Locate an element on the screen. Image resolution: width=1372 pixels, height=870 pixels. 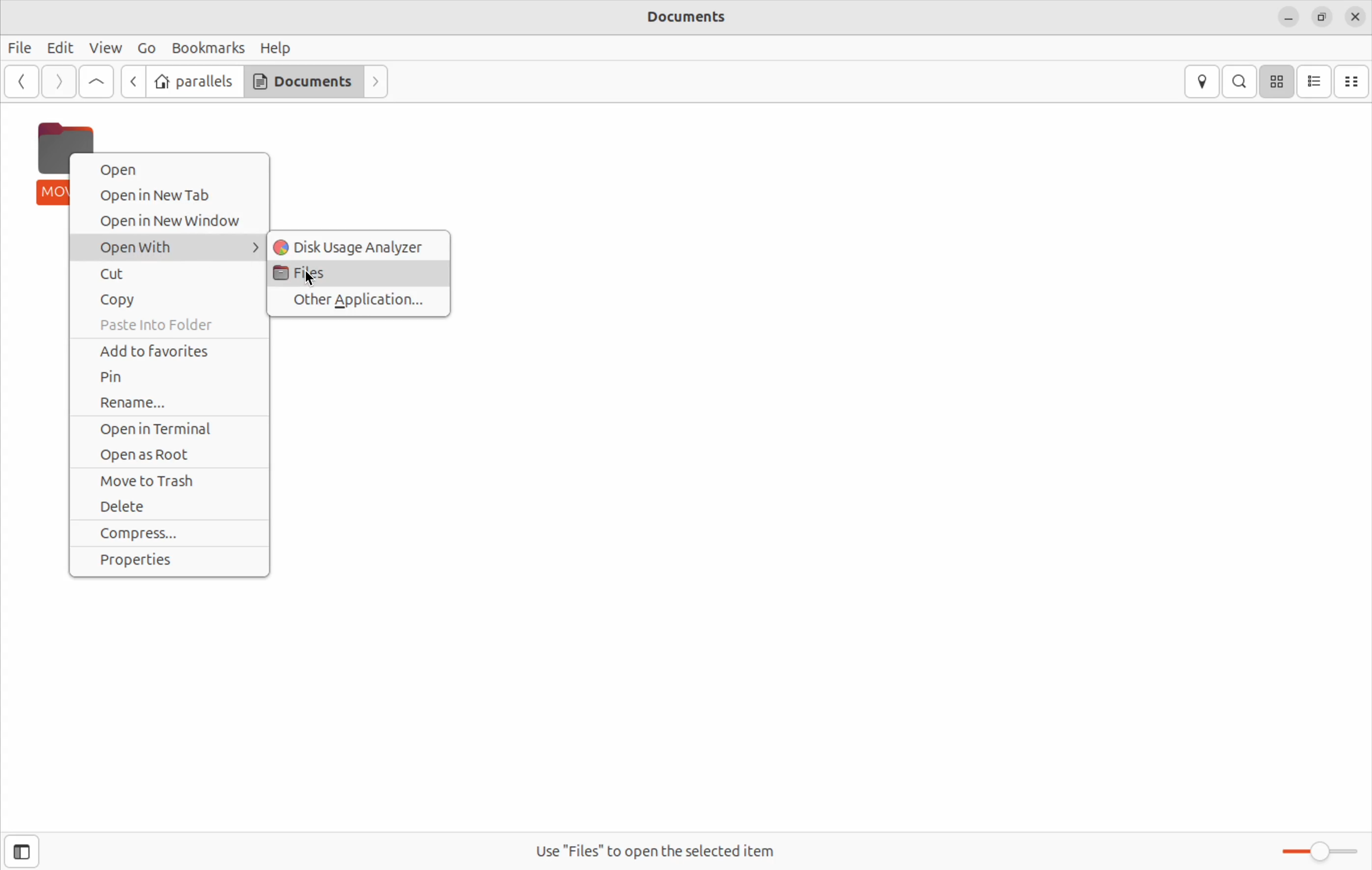
Edit is located at coordinates (60, 47).